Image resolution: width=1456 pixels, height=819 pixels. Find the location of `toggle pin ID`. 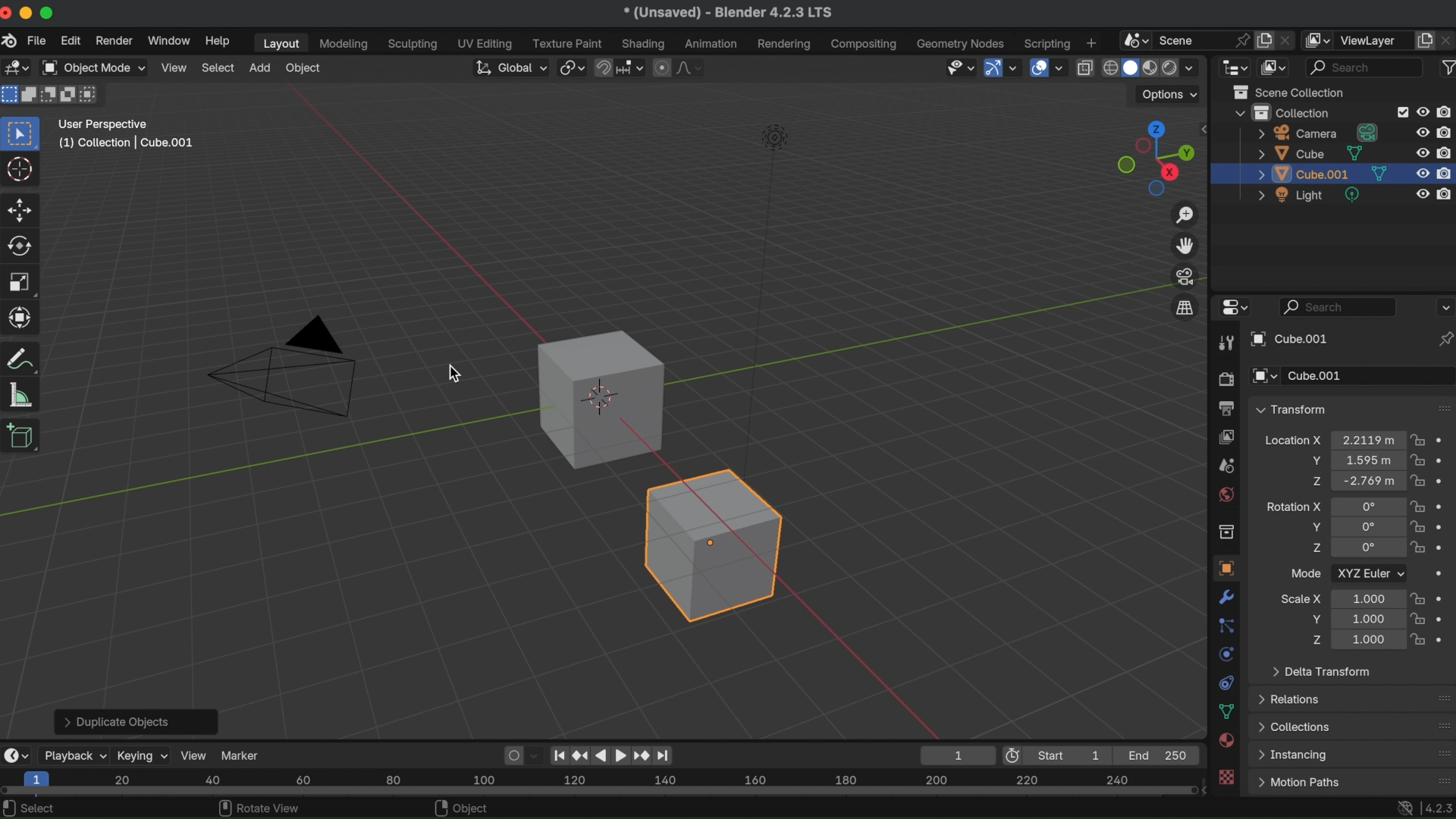

toggle pin ID is located at coordinates (1445, 339).